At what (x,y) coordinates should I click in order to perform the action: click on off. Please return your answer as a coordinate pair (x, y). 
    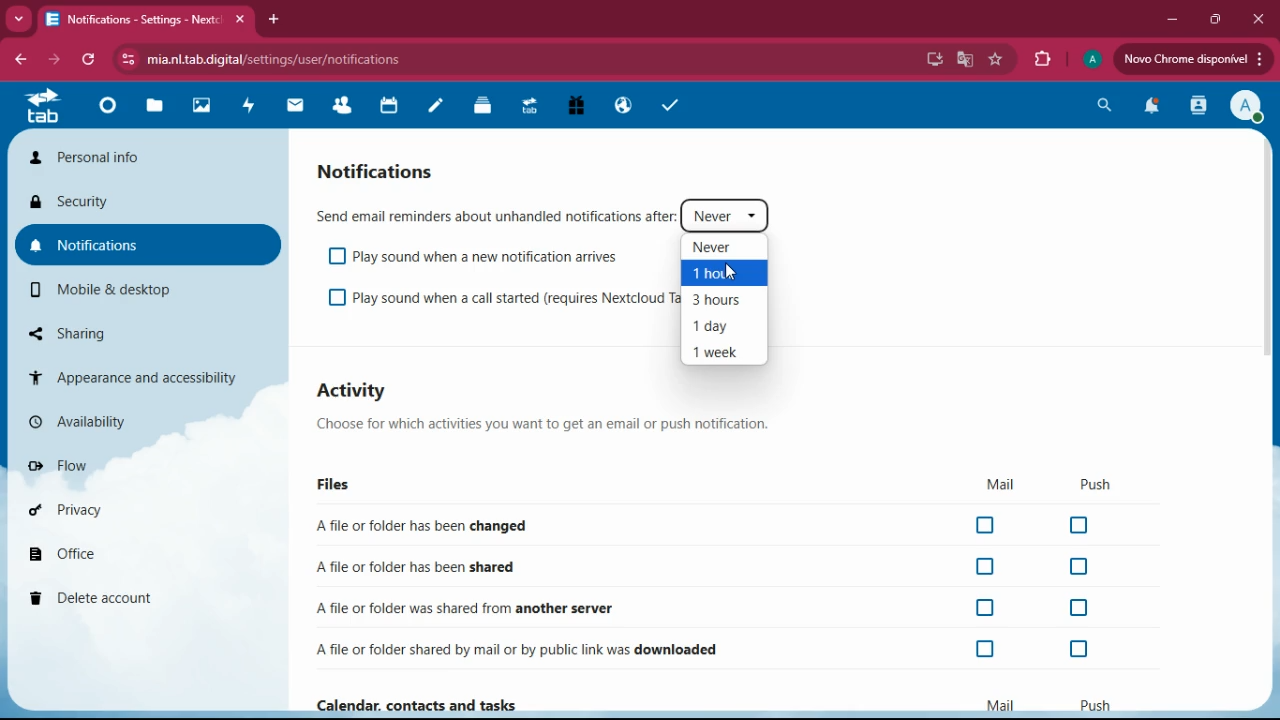
    Looking at the image, I should click on (986, 650).